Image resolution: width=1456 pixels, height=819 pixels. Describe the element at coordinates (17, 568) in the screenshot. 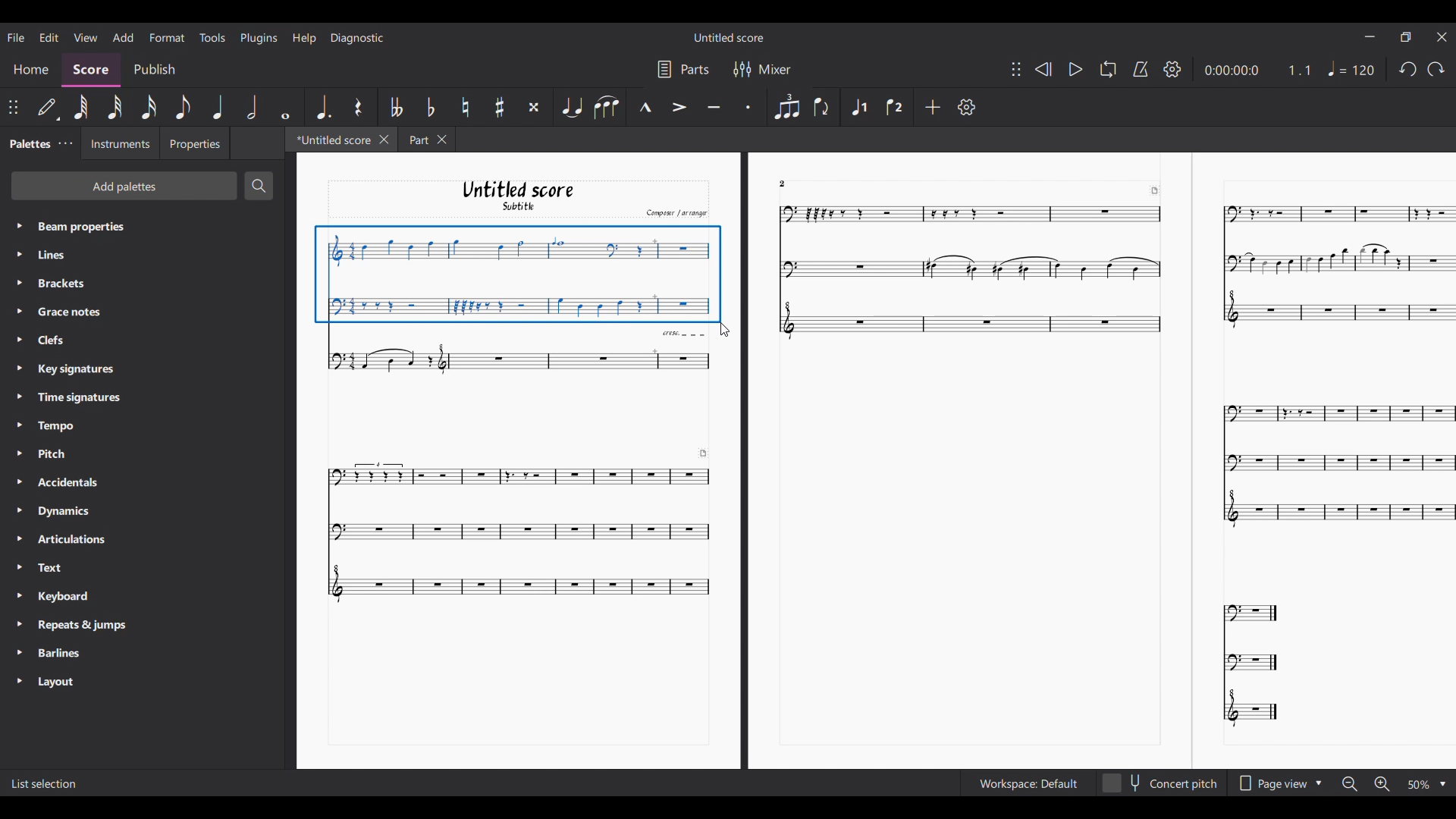

I see `` at that location.